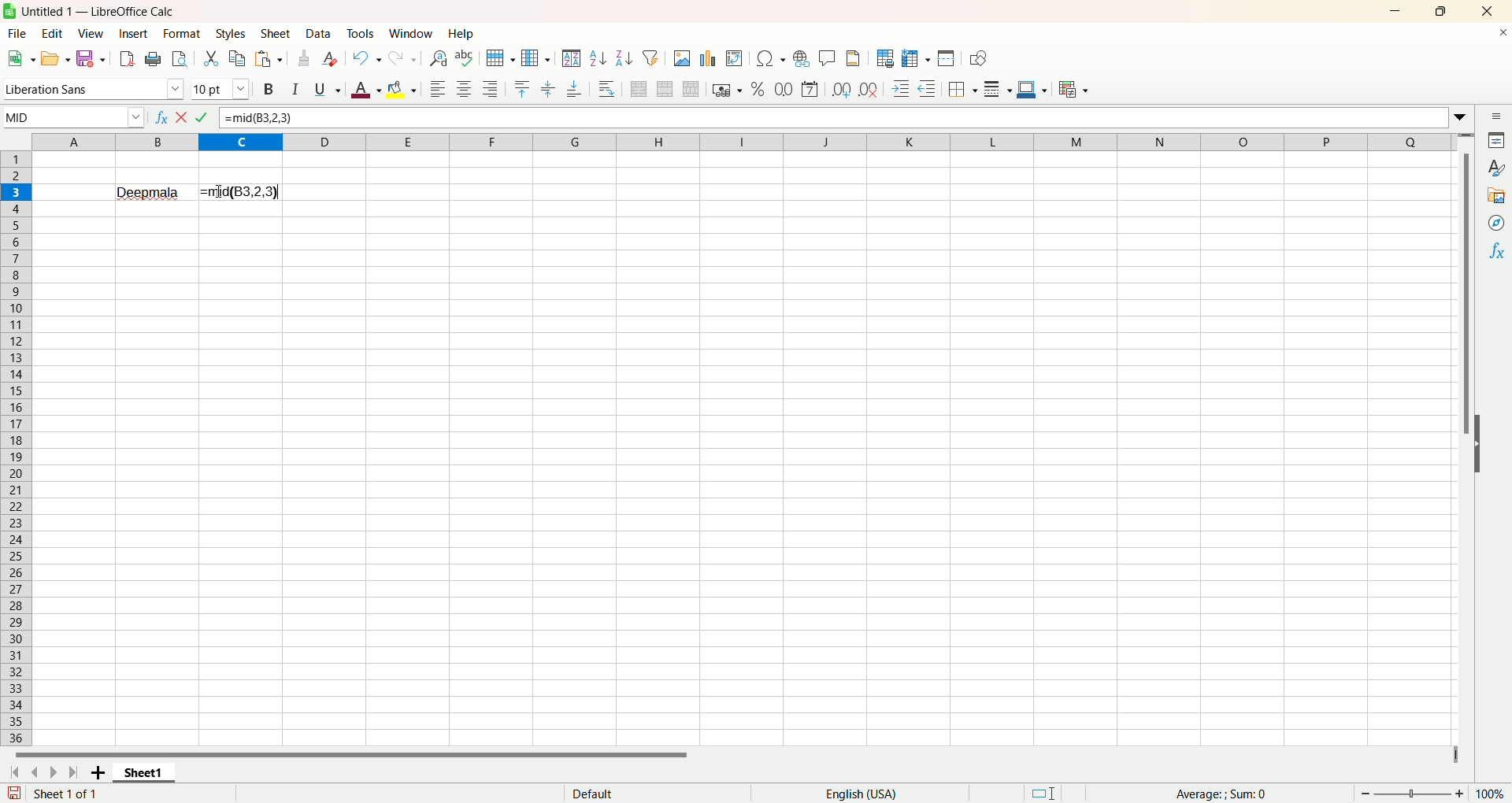  Describe the element at coordinates (639, 88) in the screenshot. I see `Merge and center` at that location.